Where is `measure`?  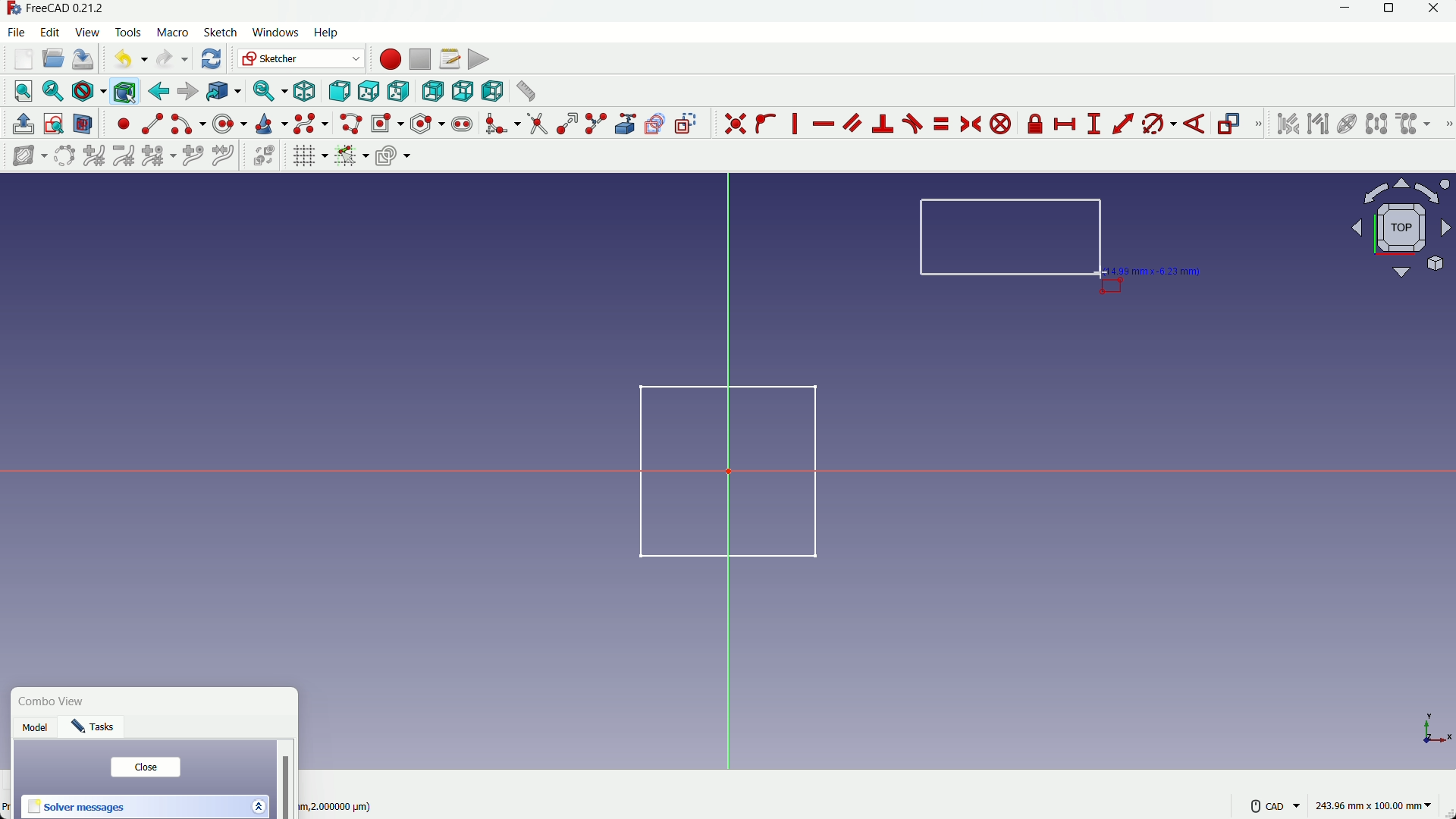
measure is located at coordinates (525, 91).